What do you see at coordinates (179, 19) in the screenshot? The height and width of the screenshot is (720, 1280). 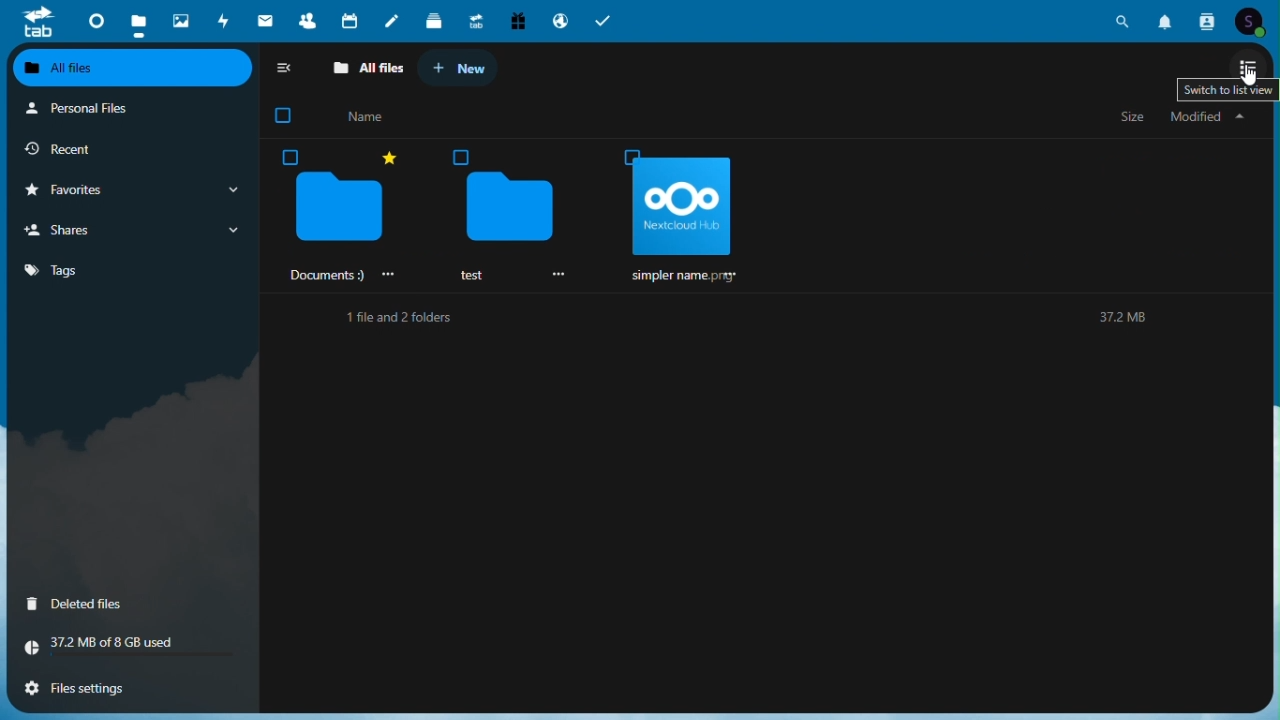 I see `Photos ` at bounding box center [179, 19].